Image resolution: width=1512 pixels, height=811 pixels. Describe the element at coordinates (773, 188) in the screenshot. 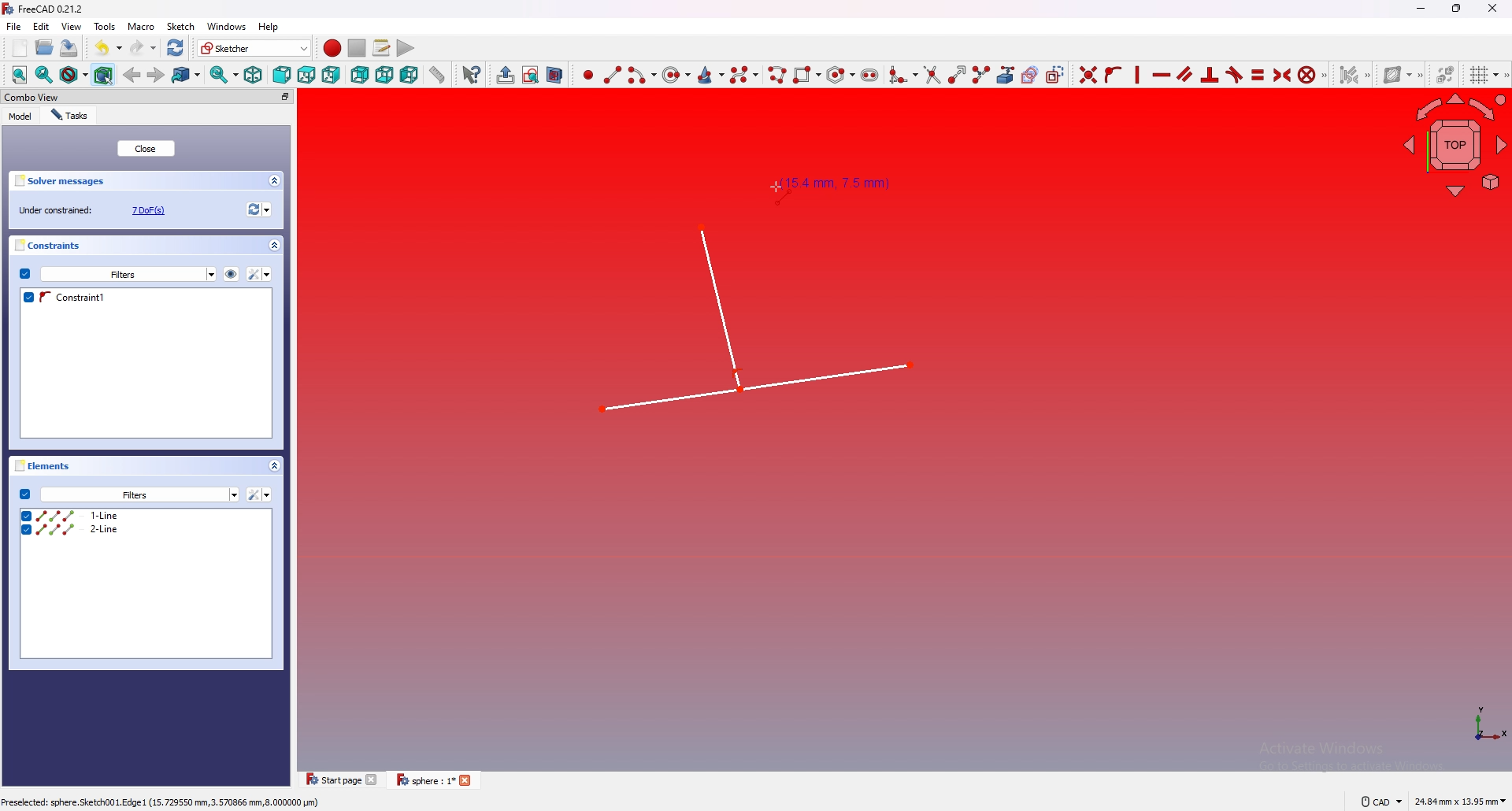

I see `cursor` at that location.